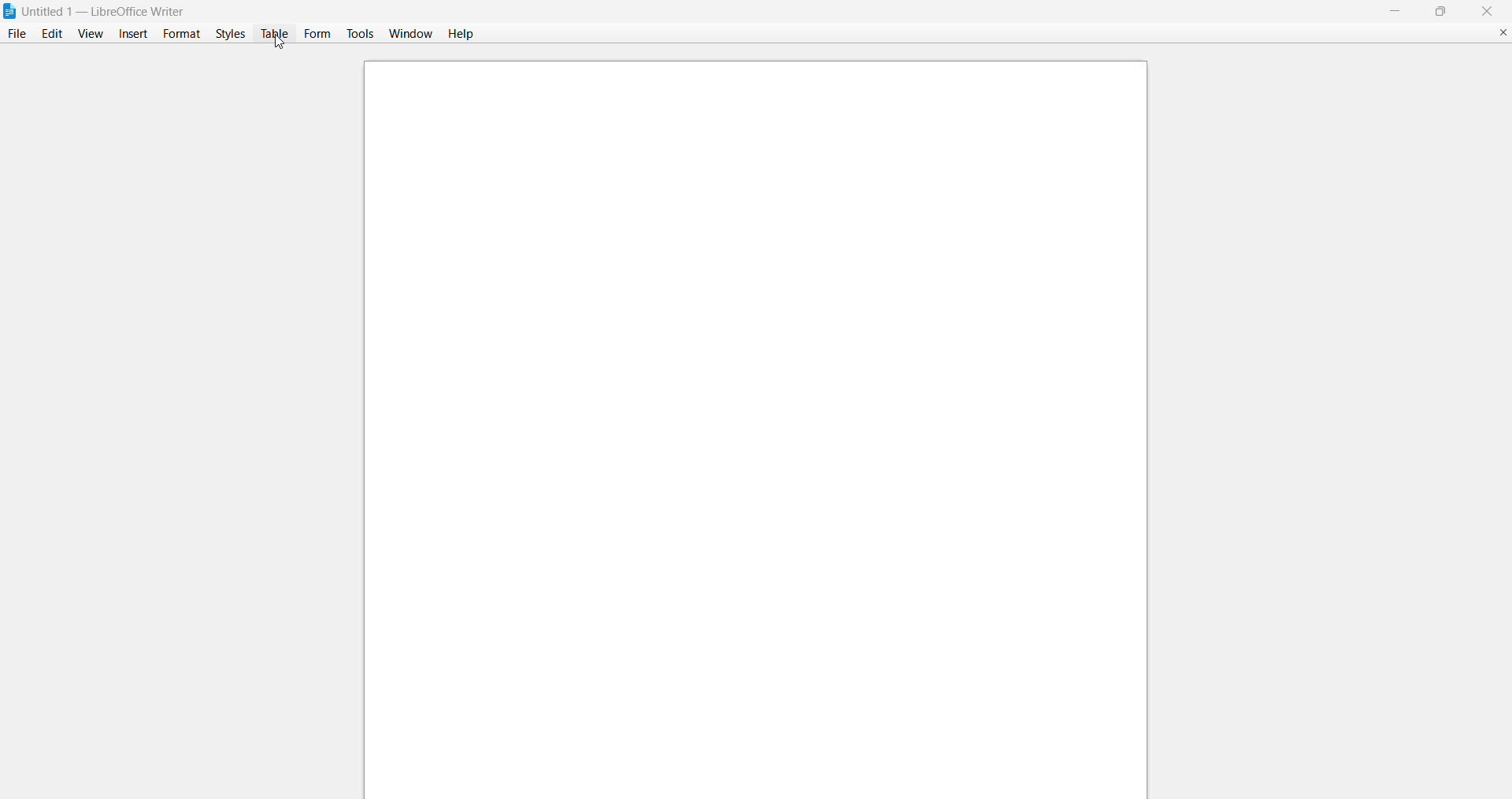 The image size is (1512, 799). Describe the element at coordinates (106, 10) in the screenshot. I see `| Untitled 1 — LibreOffice Writer` at that location.